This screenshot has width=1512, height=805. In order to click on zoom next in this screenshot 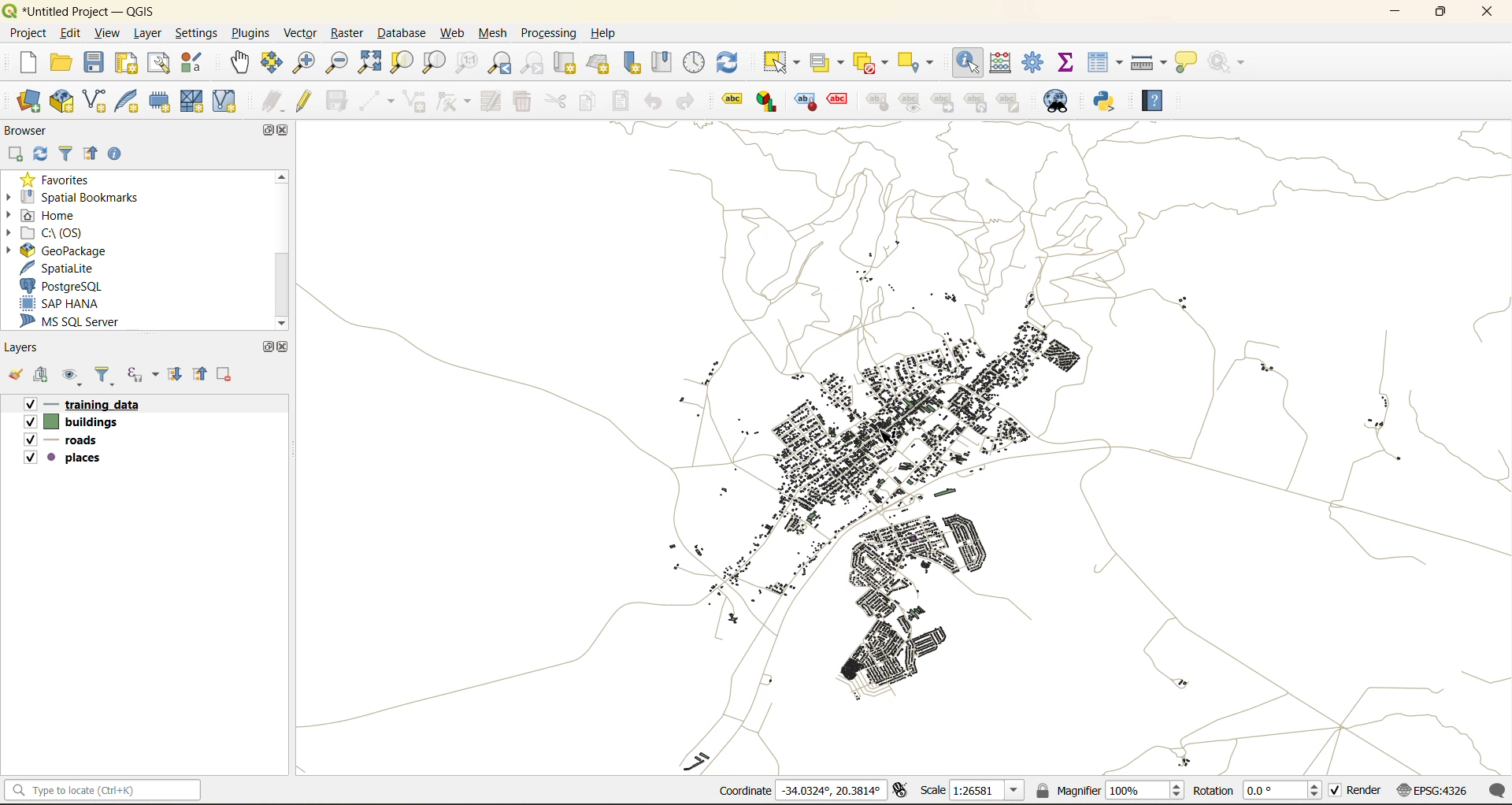, I will do `click(534, 64)`.